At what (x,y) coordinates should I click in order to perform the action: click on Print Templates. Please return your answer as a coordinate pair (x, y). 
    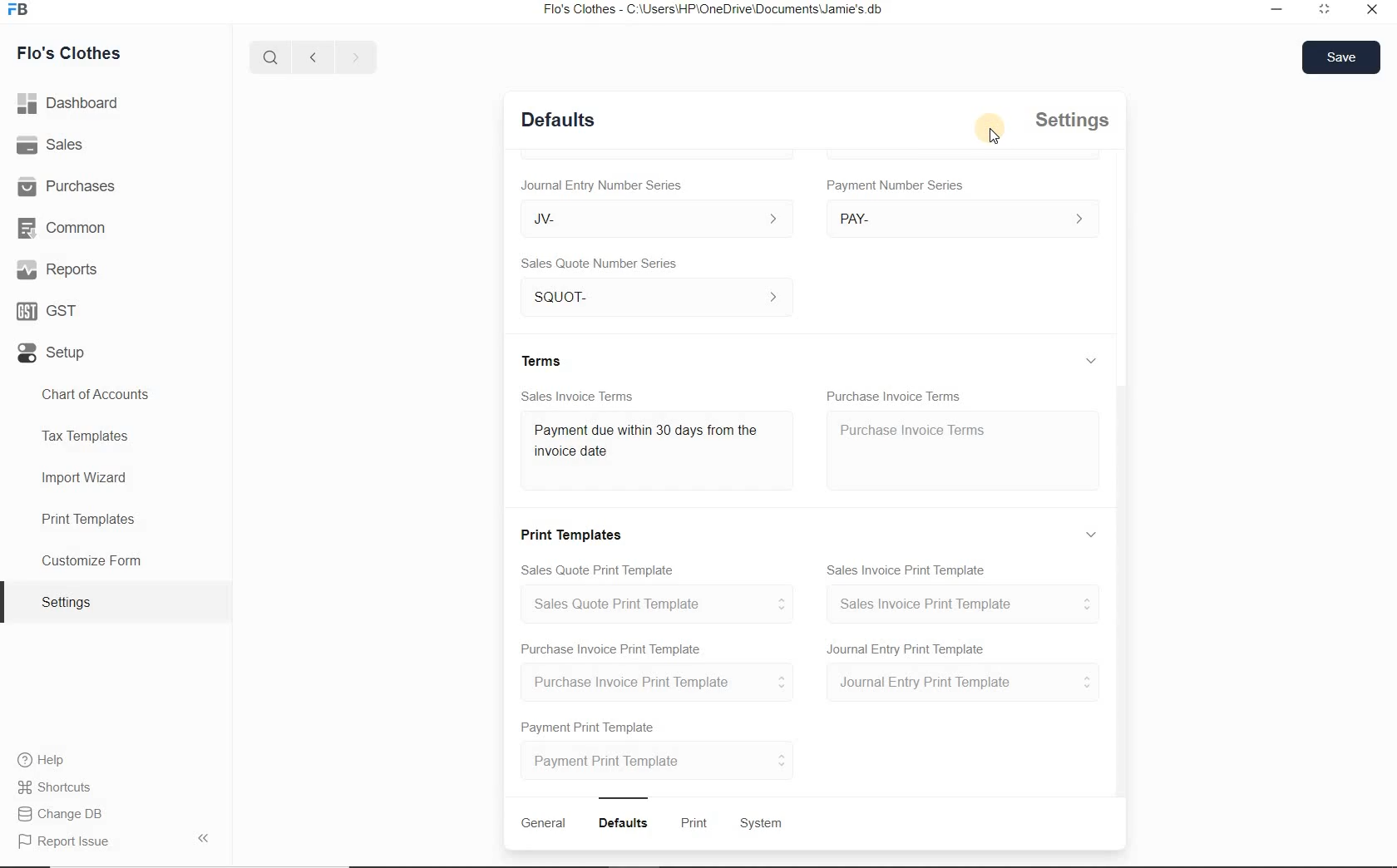
    Looking at the image, I should click on (569, 534).